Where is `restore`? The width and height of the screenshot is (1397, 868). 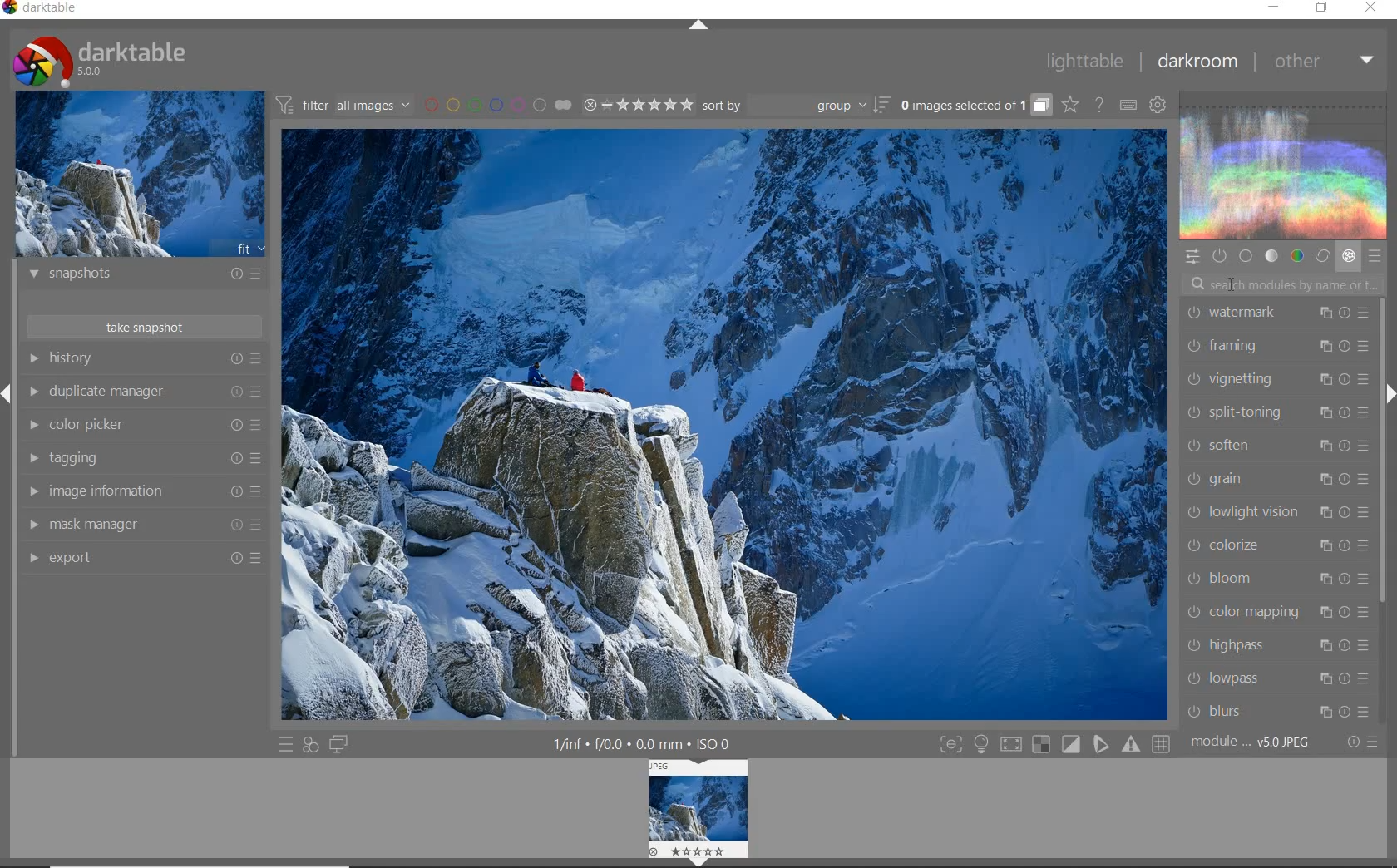 restore is located at coordinates (1324, 9).